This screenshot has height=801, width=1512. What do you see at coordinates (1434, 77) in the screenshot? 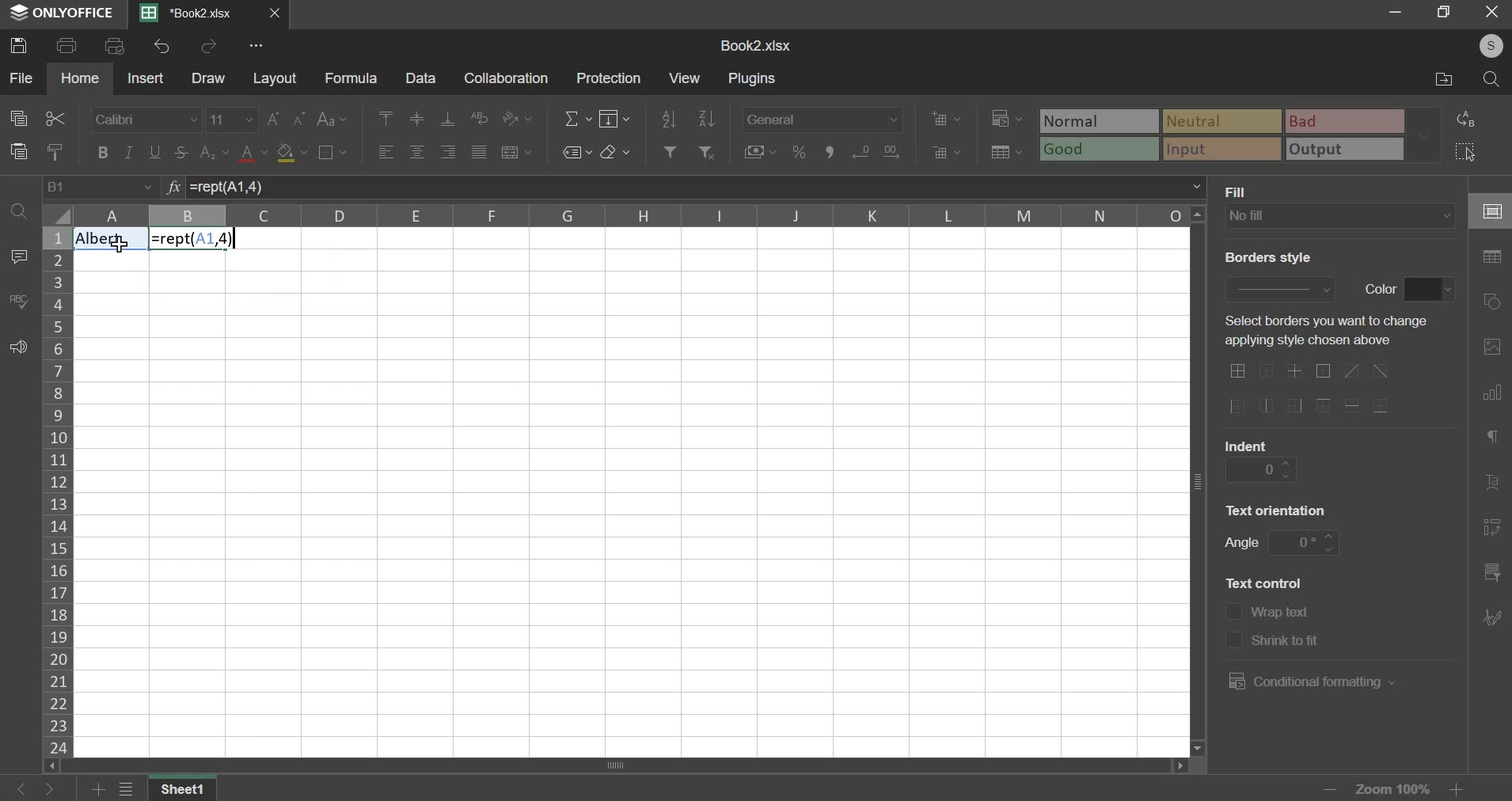
I see `file location` at bounding box center [1434, 77].